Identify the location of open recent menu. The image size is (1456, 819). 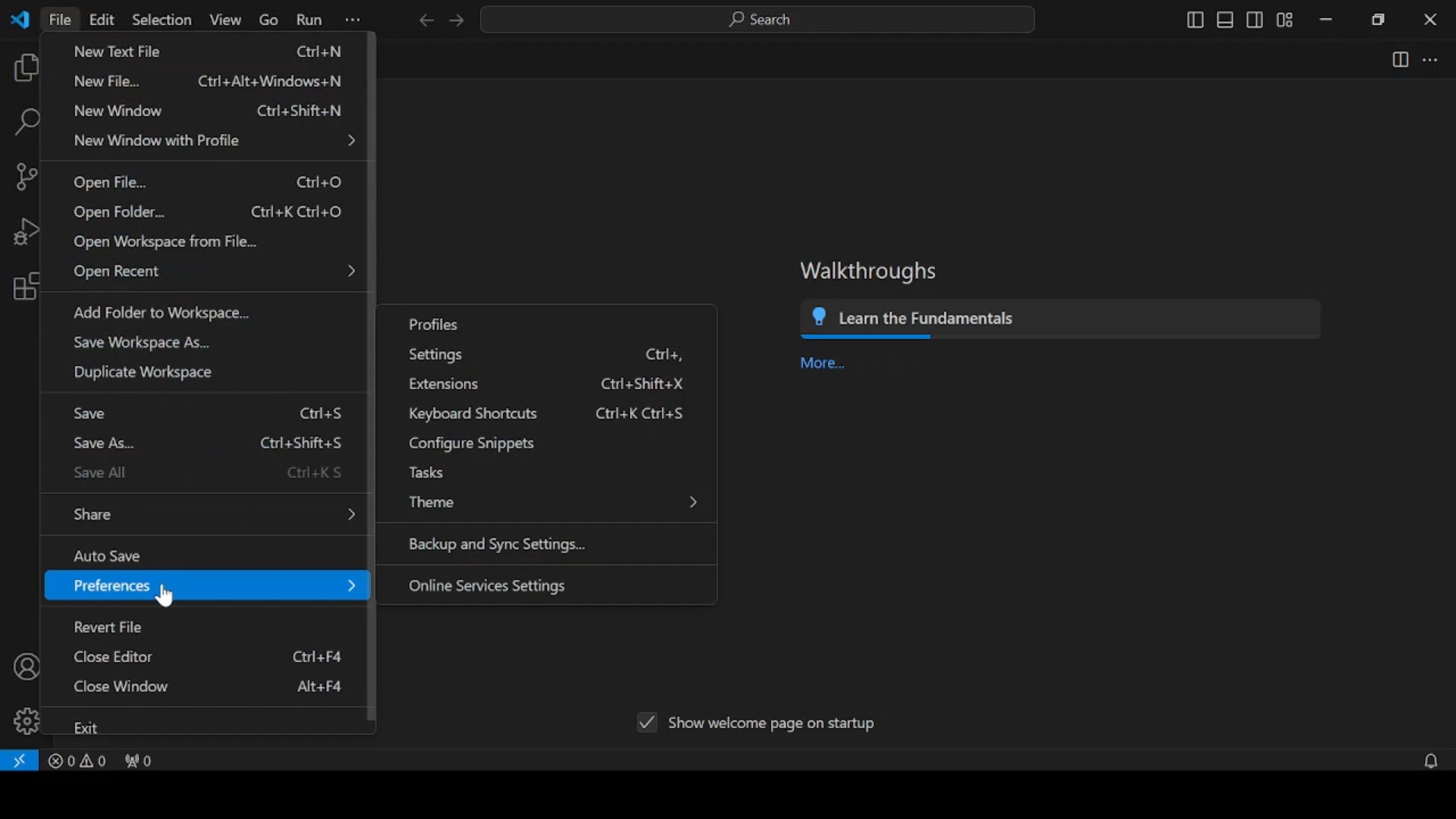
(215, 271).